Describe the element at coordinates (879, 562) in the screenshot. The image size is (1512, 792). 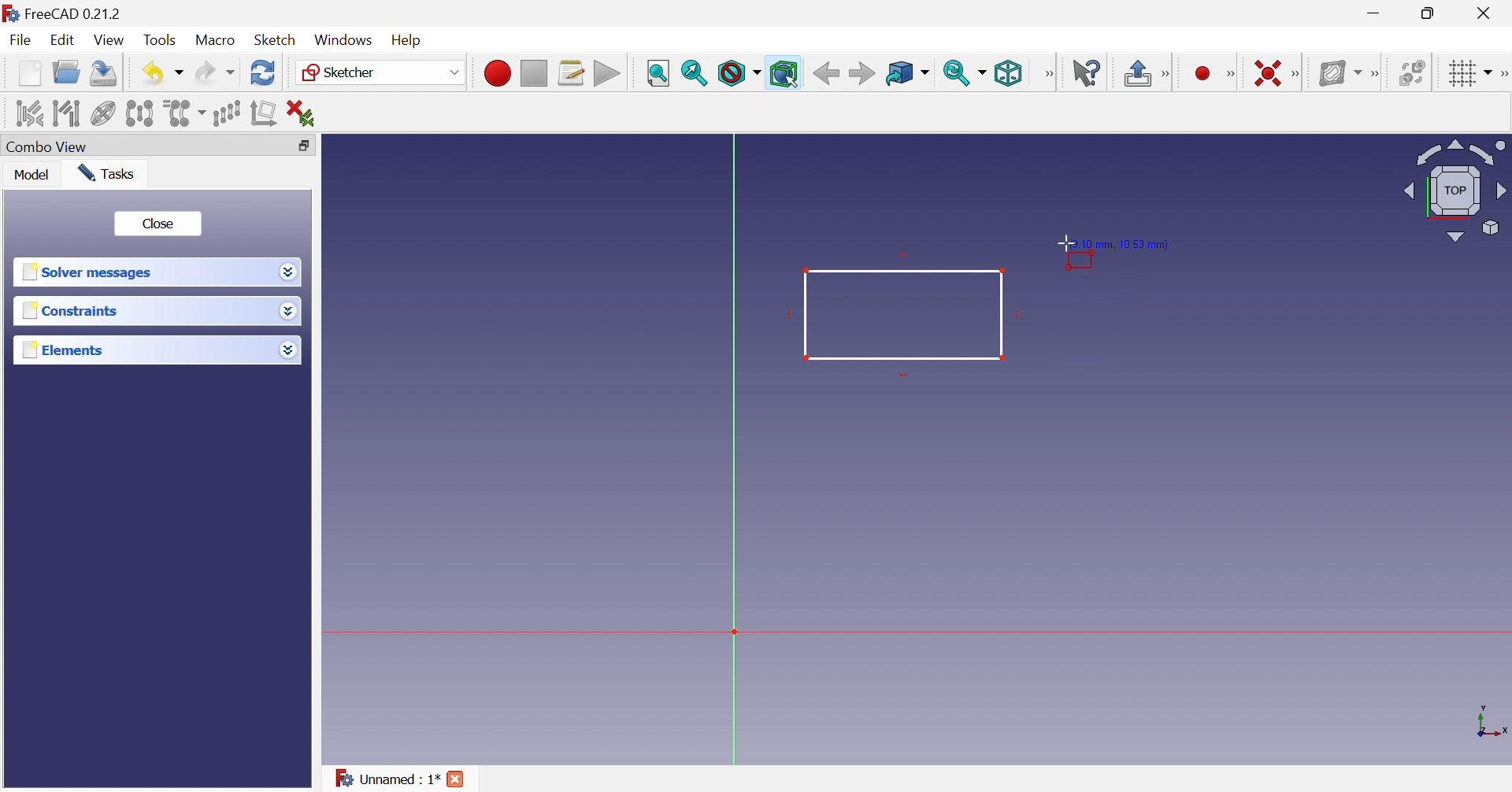
I see `canvas` at that location.